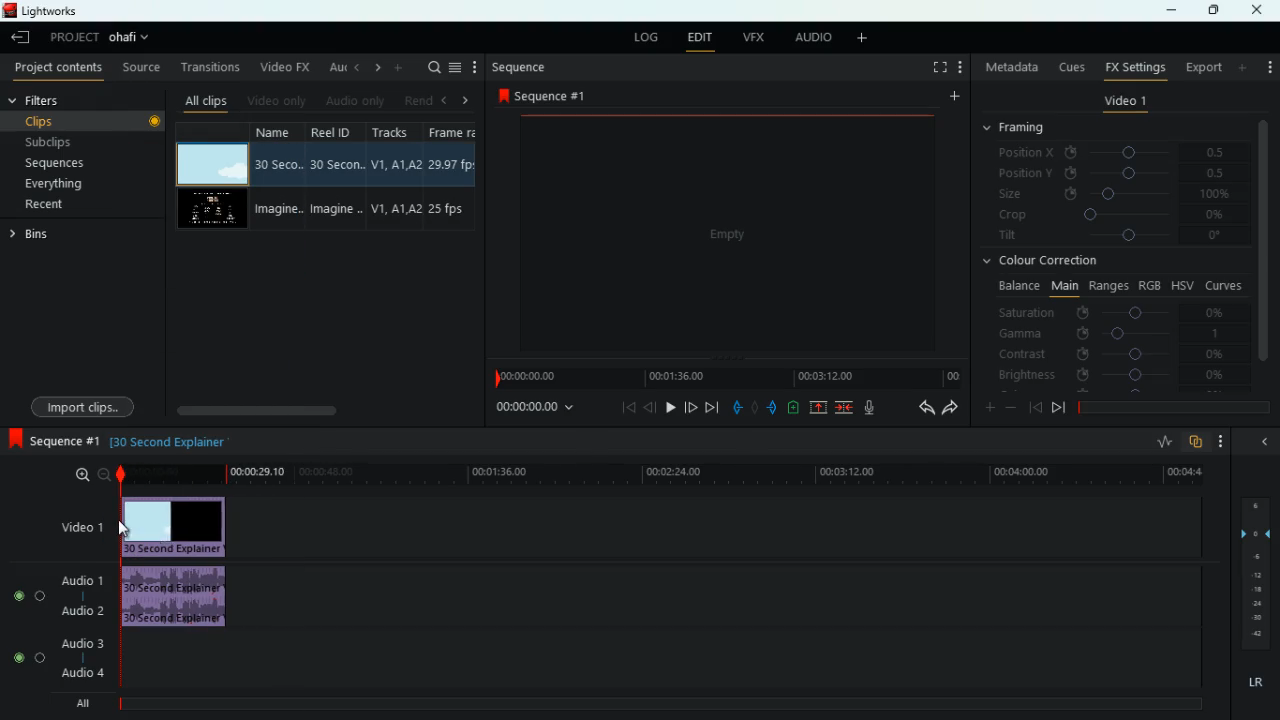 The width and height of the screenshot is (1280, 720). Describe the element at coordinates (84, 580) in the screenshot. I see `audio 1` at that location.